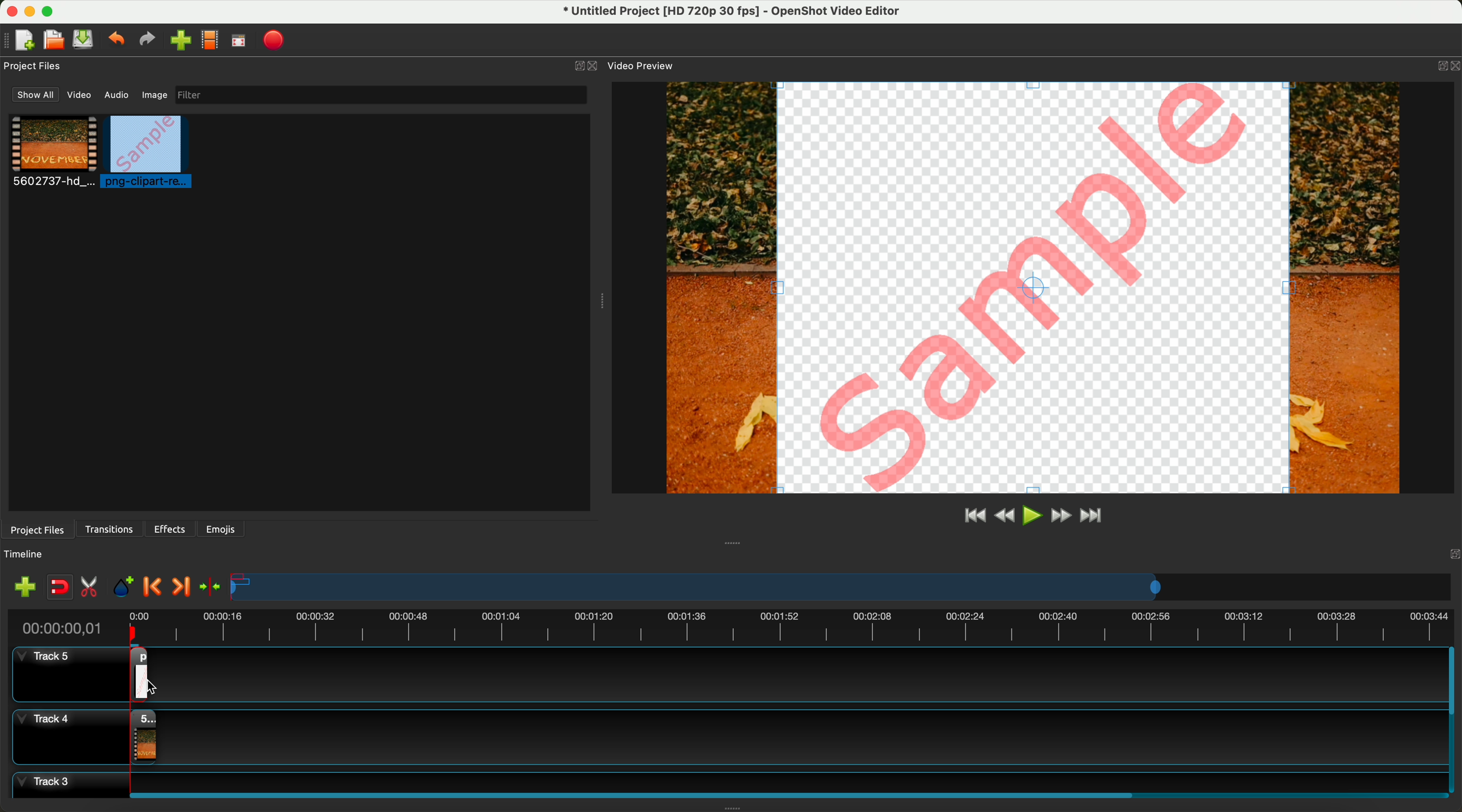  I want to click on track 3, so click(724, 780).